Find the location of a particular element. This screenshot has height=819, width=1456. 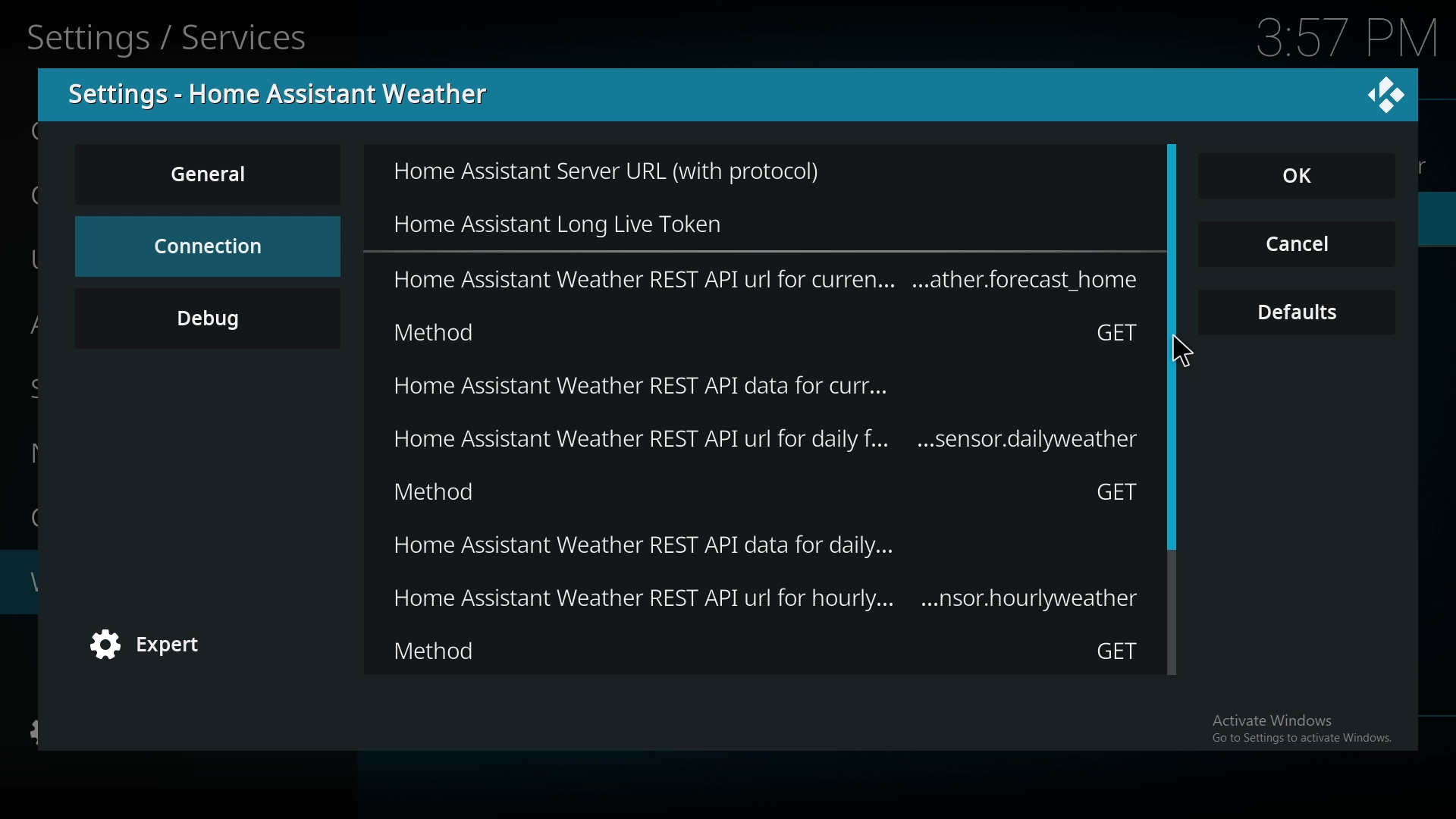

settings - home assistant weather is located at coordinates (287, 94).